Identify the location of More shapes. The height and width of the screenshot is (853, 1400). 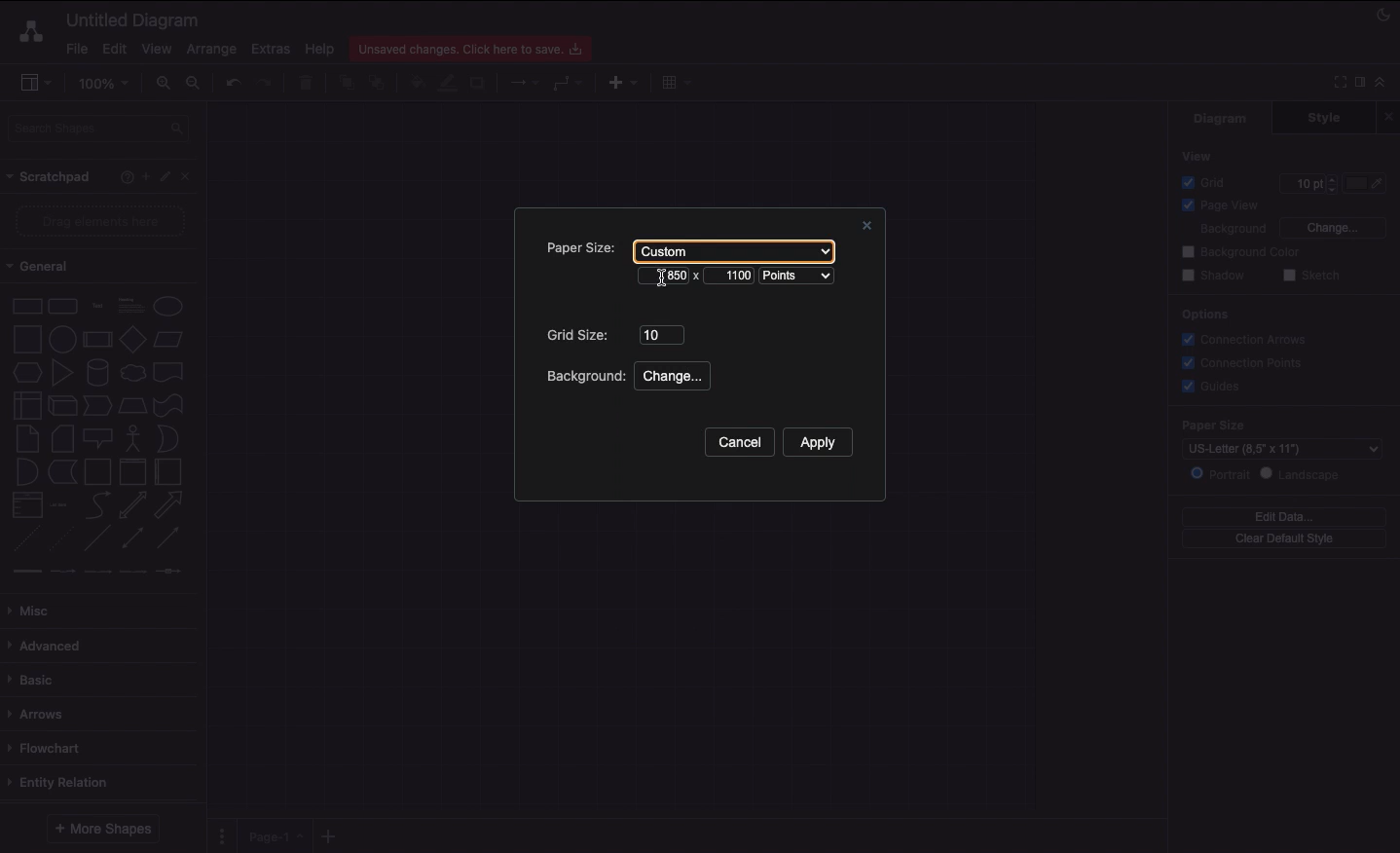
(101, 829).